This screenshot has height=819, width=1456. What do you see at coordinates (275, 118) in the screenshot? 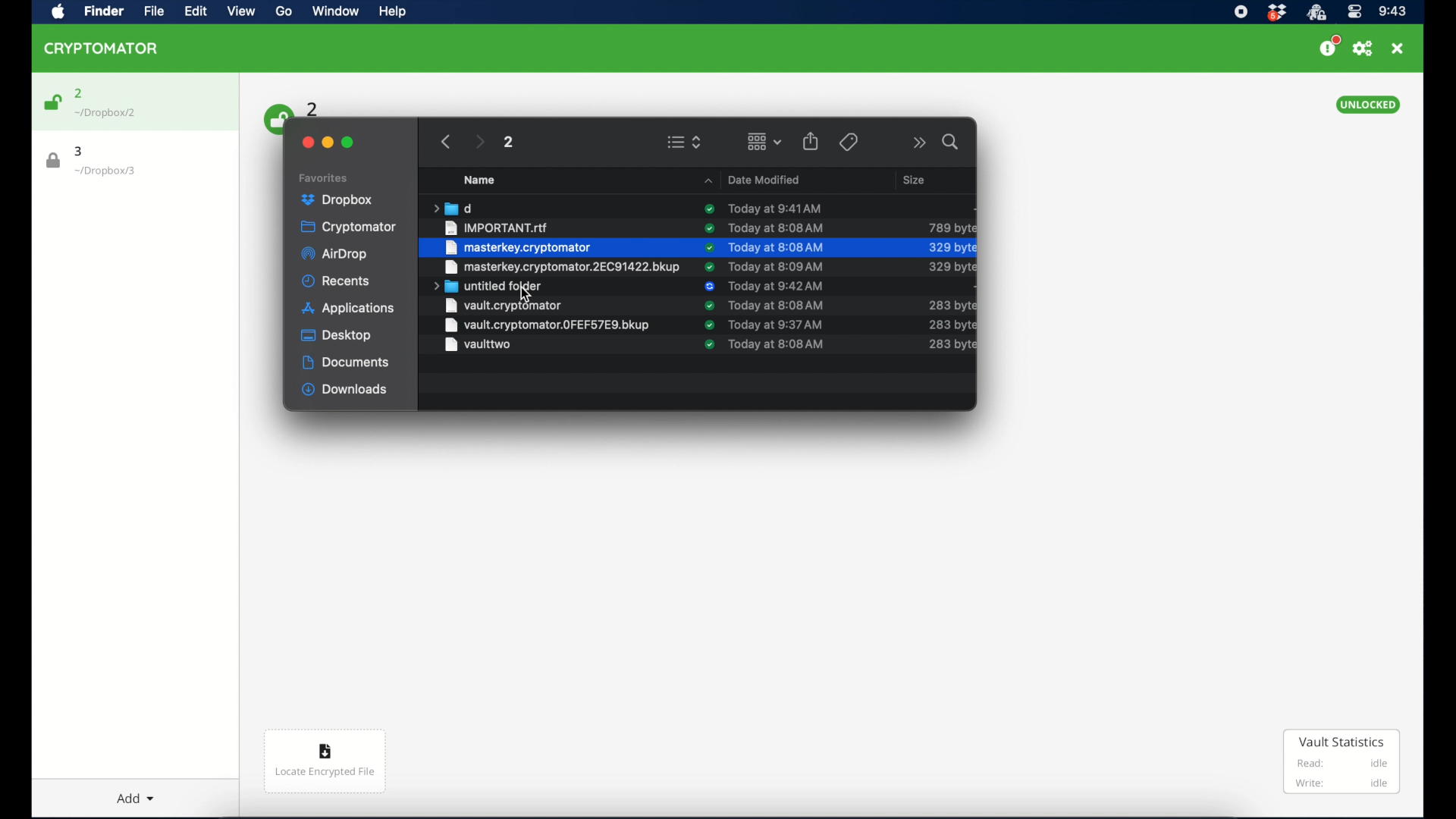
I see `unlock icon` at bounding box center [275, 118].